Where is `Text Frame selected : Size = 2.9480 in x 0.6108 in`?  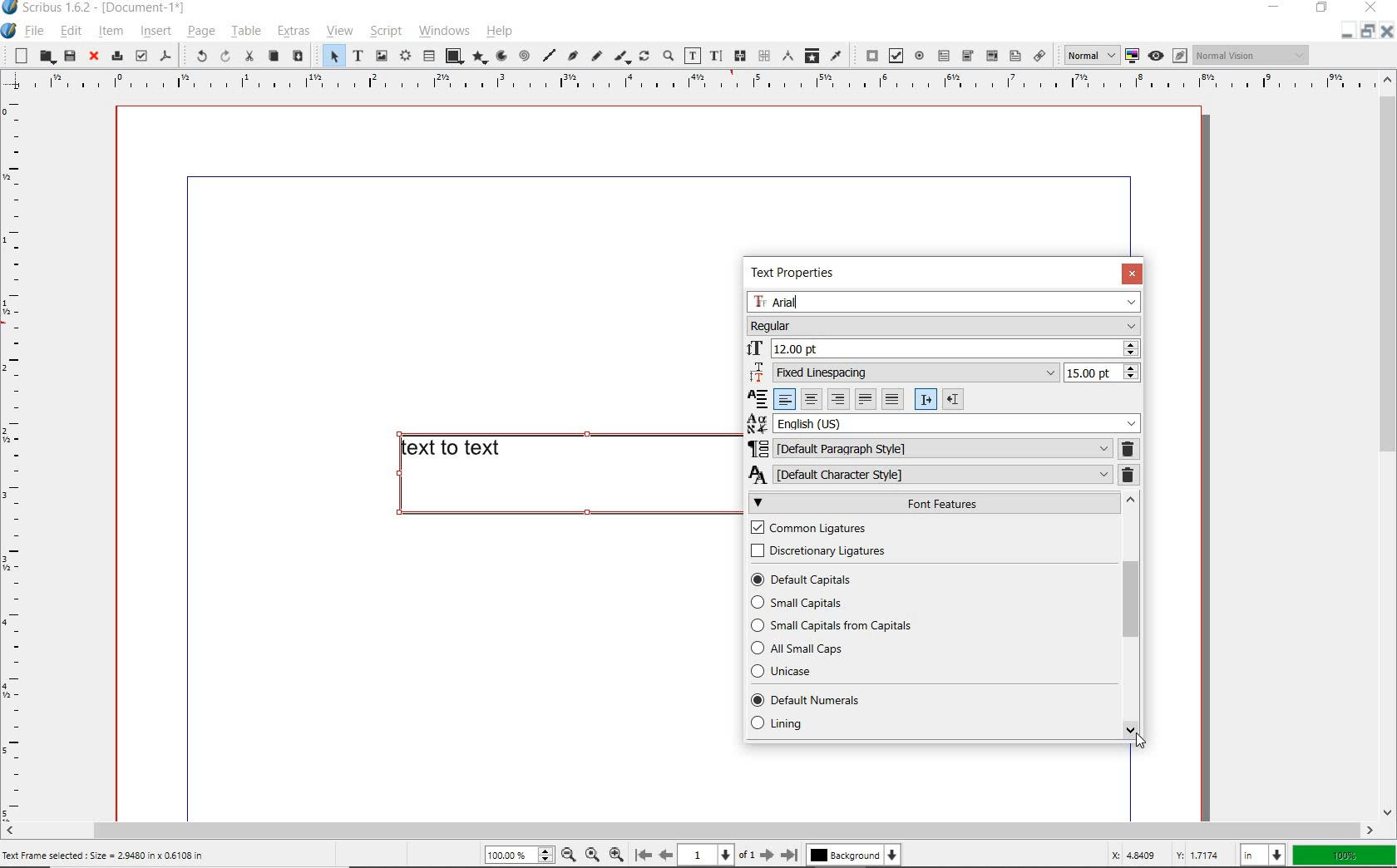 Text Frame selected : Size = 2.9480 in x 0.6108 in is located at coordinates (105, 856).